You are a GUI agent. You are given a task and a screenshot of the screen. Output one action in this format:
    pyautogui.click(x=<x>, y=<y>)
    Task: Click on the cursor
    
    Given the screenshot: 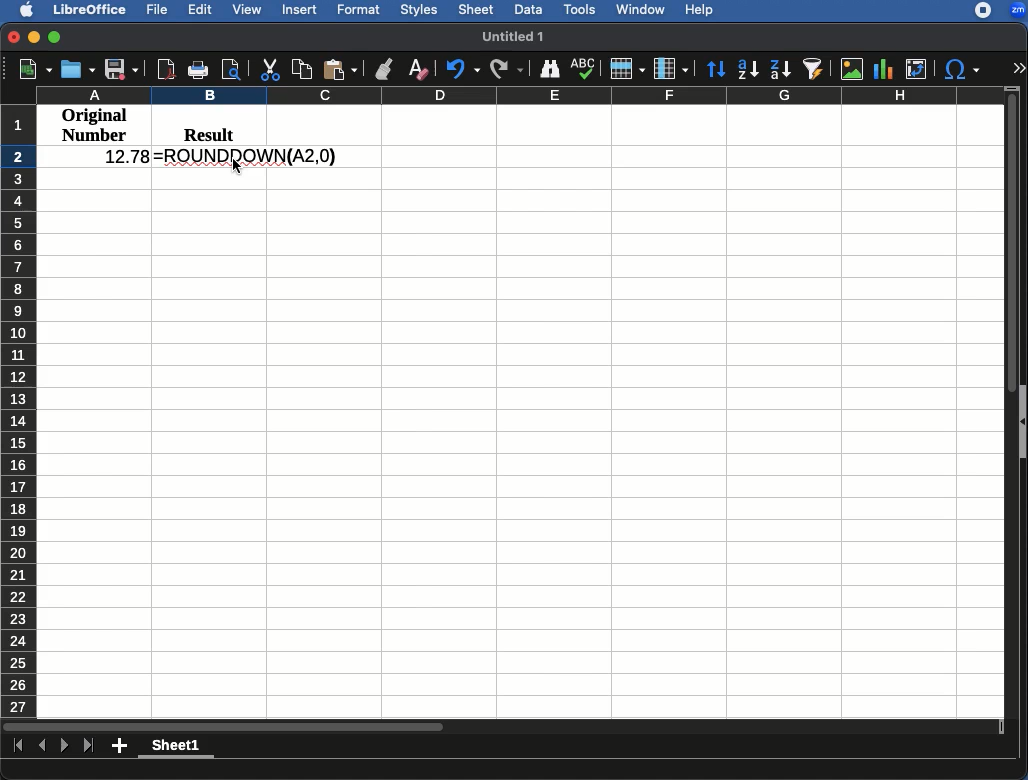 What is the action you would take?
    pyautogui.click(x=237, y=166)
    